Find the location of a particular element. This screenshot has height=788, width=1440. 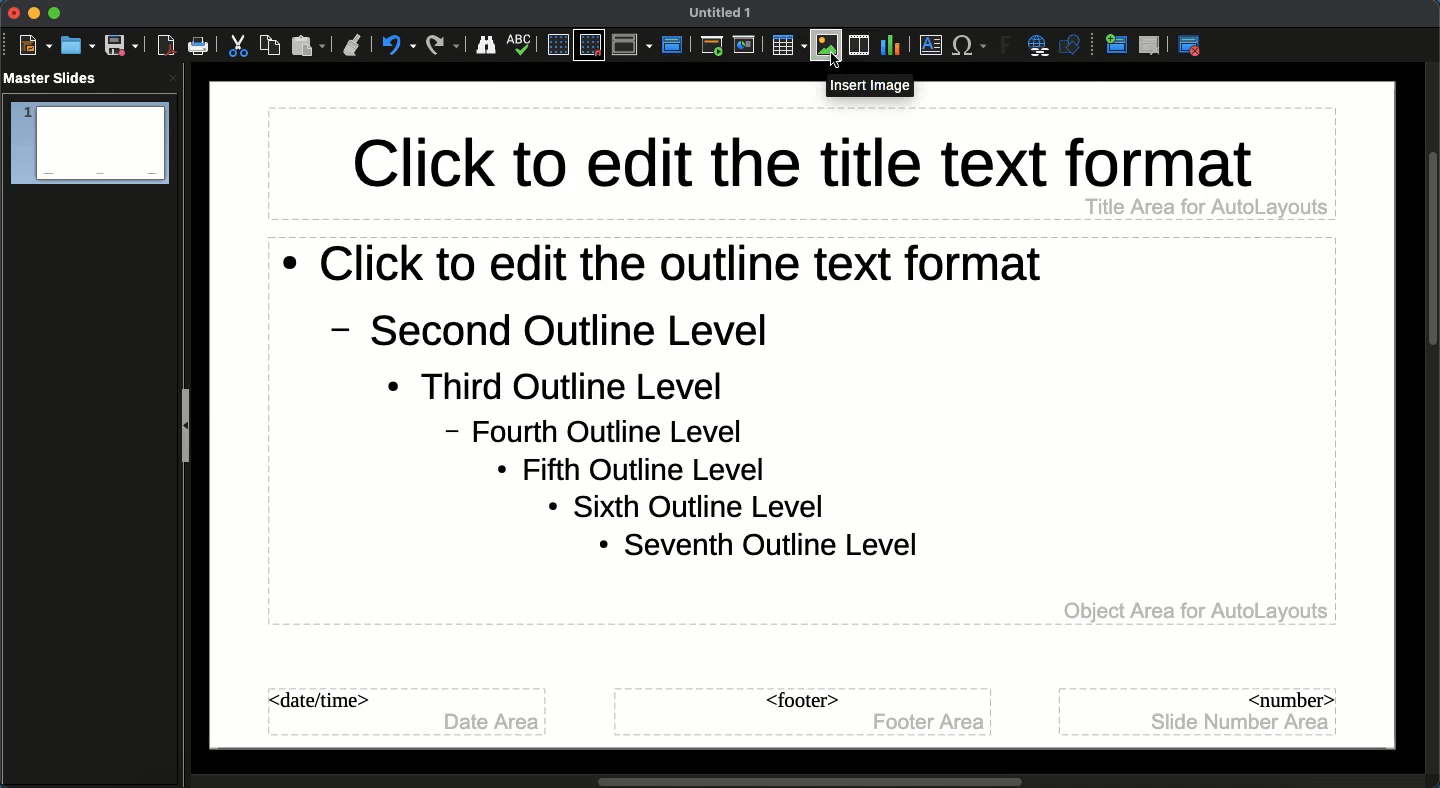

First slide is located at coordinates (714, 46).